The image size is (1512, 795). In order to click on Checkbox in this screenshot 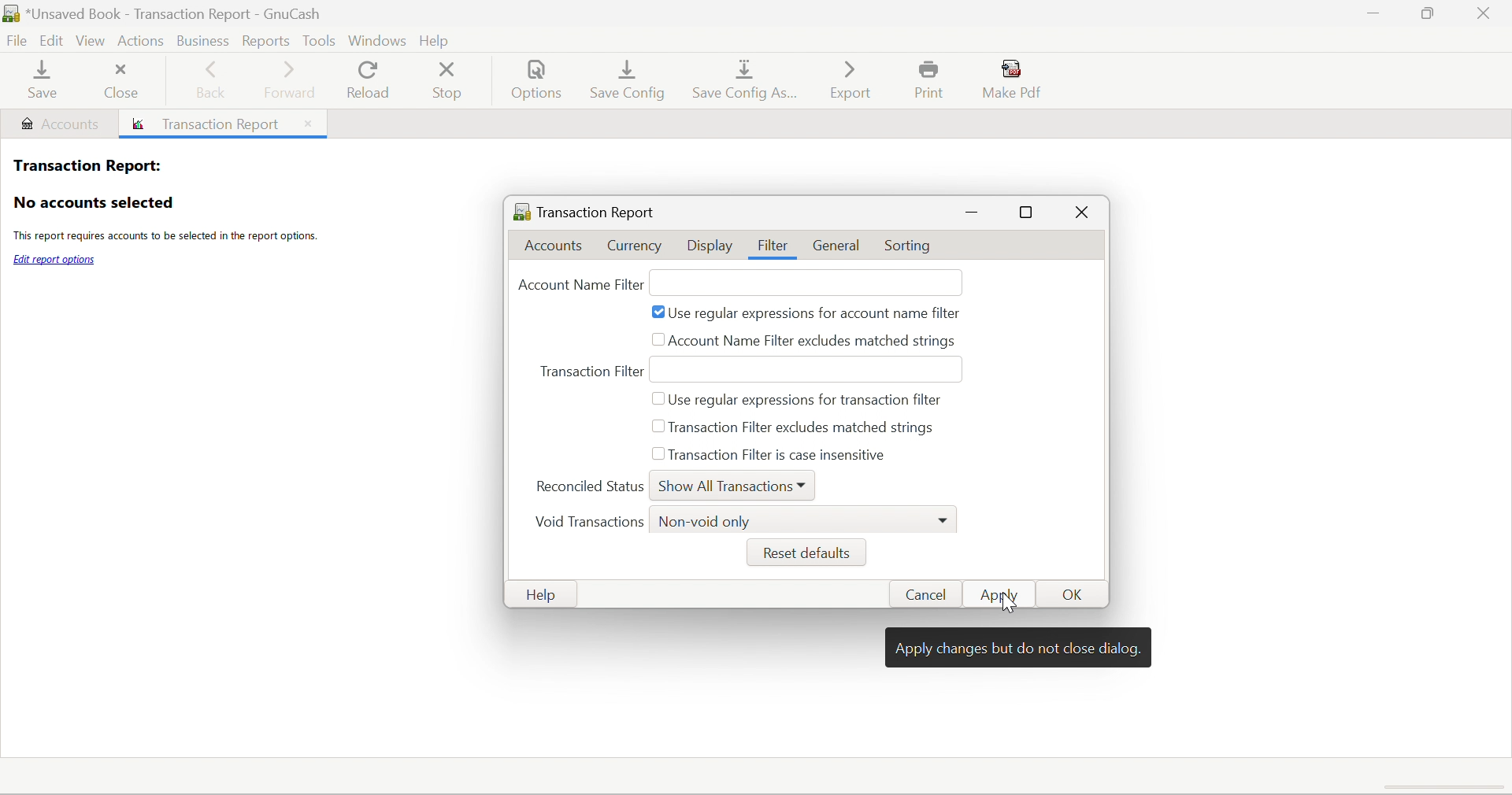, I will do `click(658, 312)`.